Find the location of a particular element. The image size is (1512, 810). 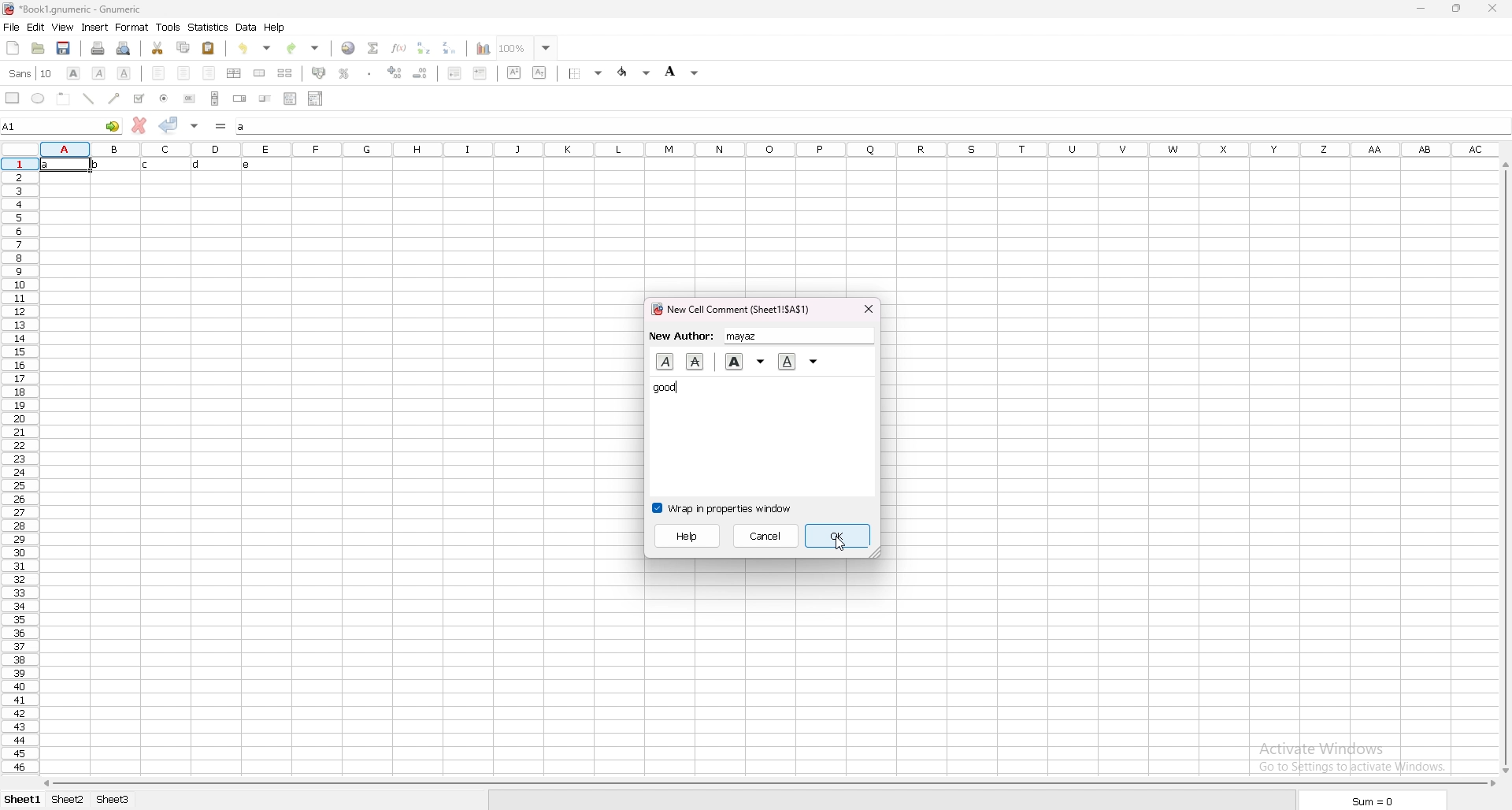

increase decimals is located at coordinates (395, 72).